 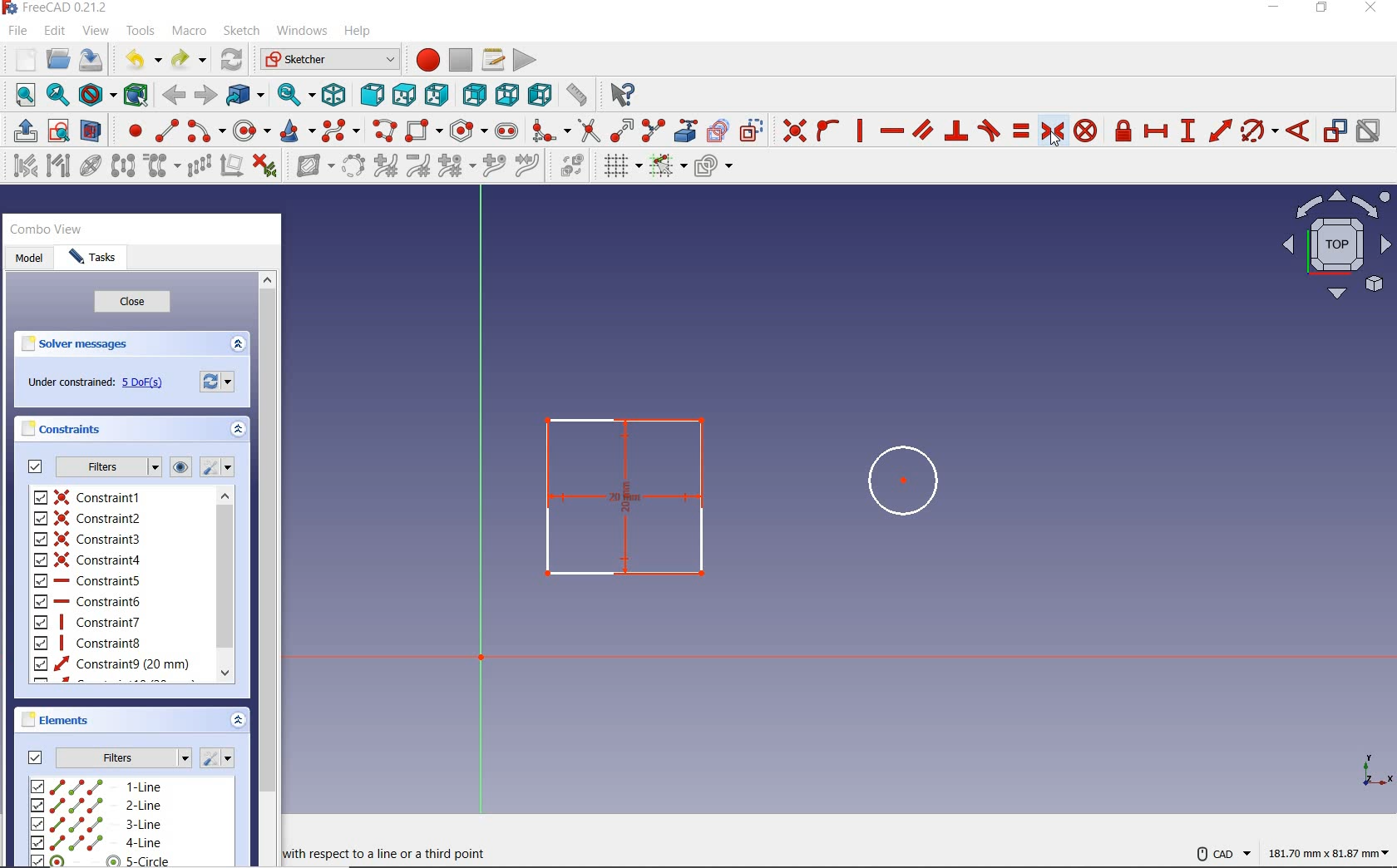 What do you see at coordinates (57, 96) in the screenshot?
I see `fit selection` at bounding box center [57, 96].